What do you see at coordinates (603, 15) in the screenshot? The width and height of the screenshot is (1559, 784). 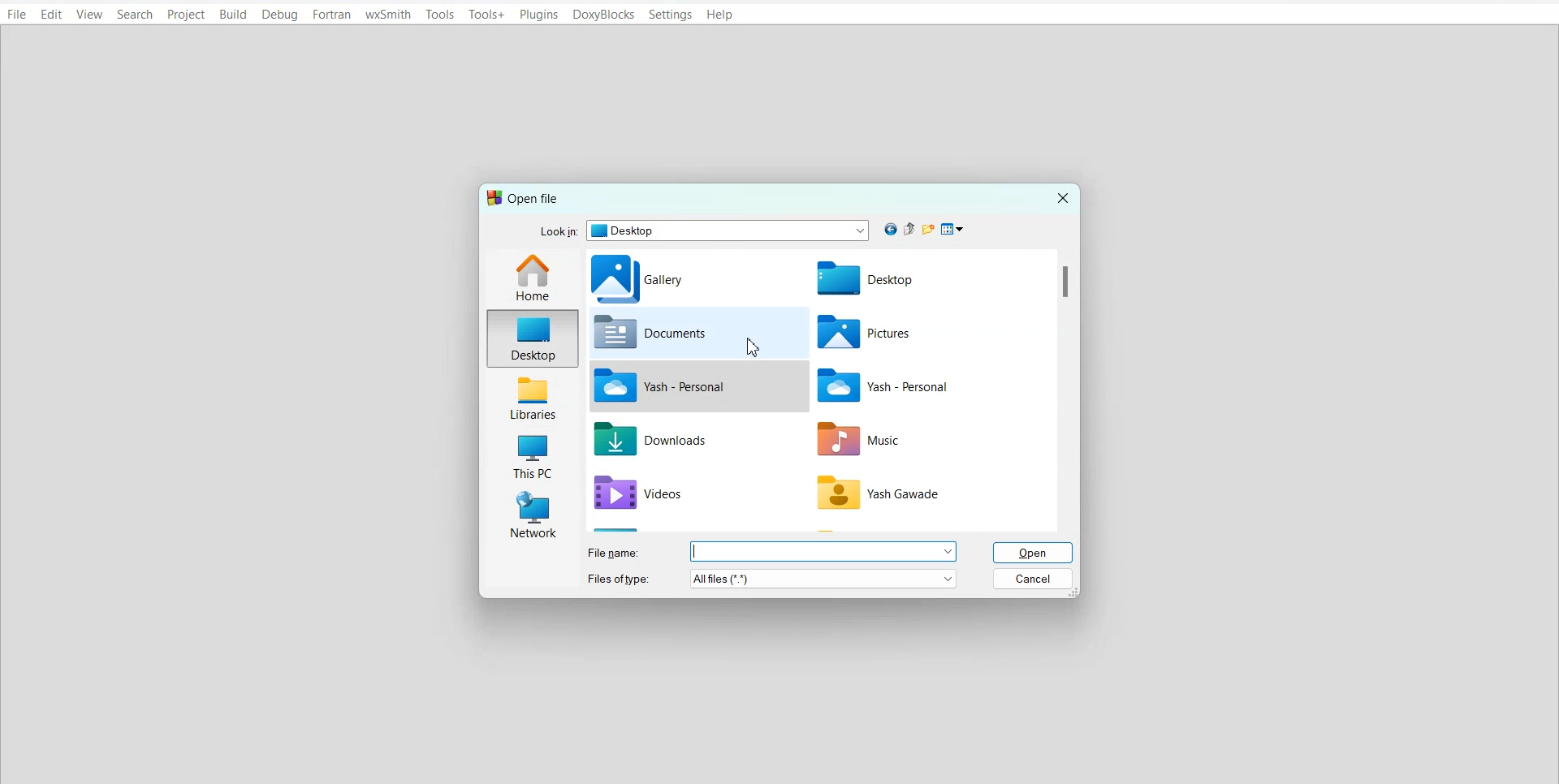 I see `DoxyBlocks` at bounding box center [603, 15].